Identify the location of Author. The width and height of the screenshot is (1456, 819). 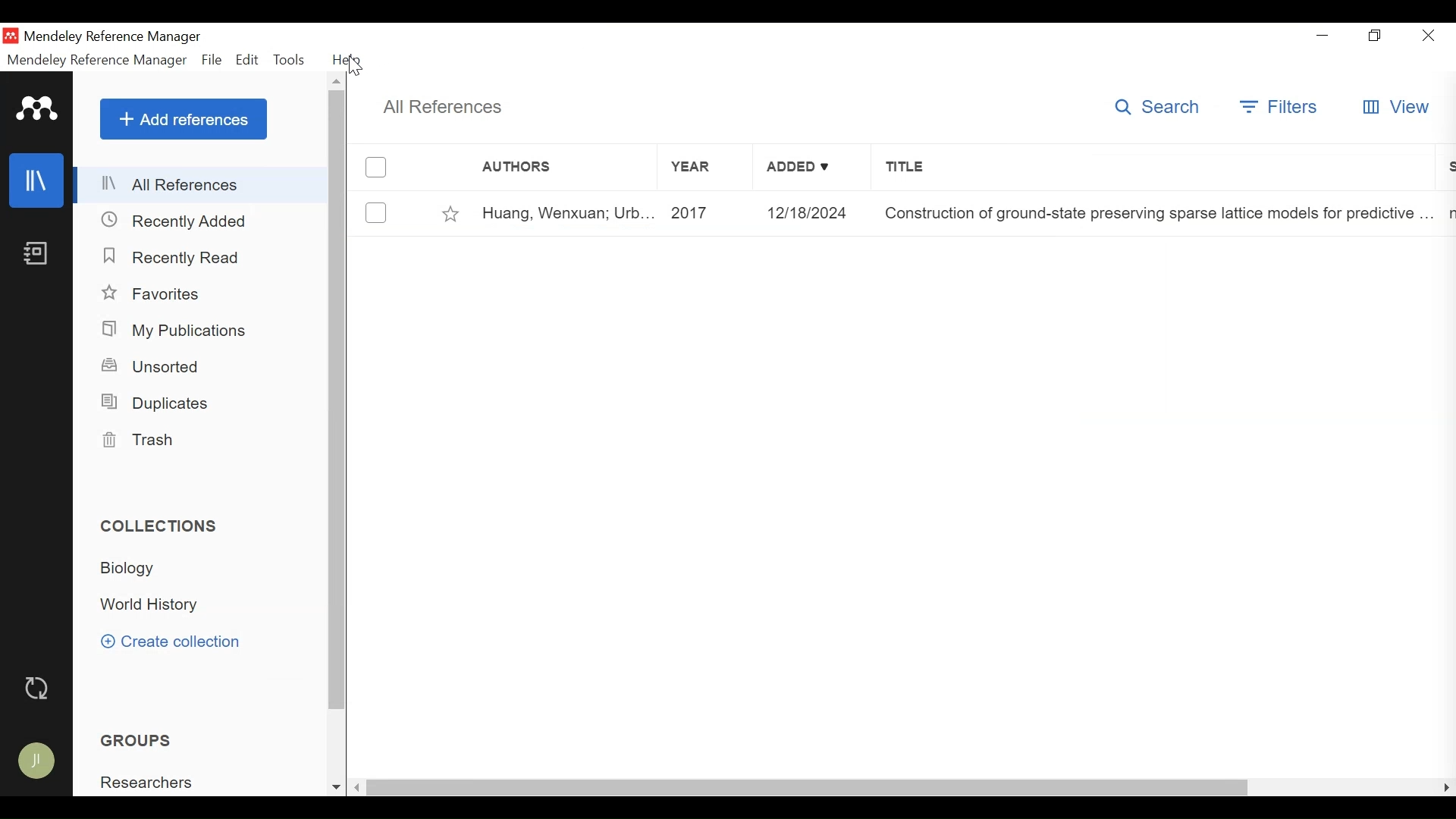
(568, 214).